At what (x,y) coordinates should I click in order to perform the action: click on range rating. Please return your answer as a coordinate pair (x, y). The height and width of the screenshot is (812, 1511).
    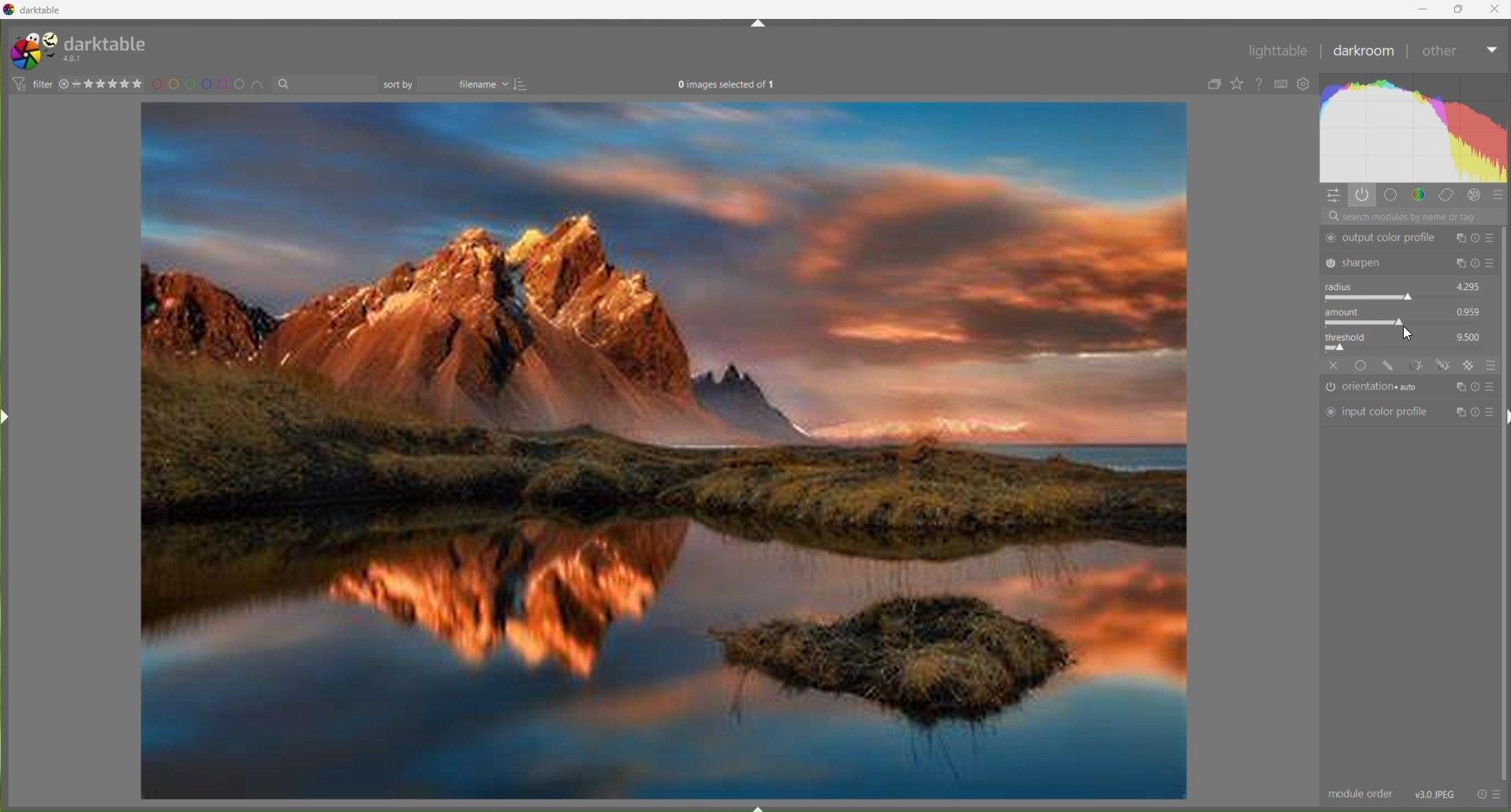
    Looking at the image, I should click on (111, 84).